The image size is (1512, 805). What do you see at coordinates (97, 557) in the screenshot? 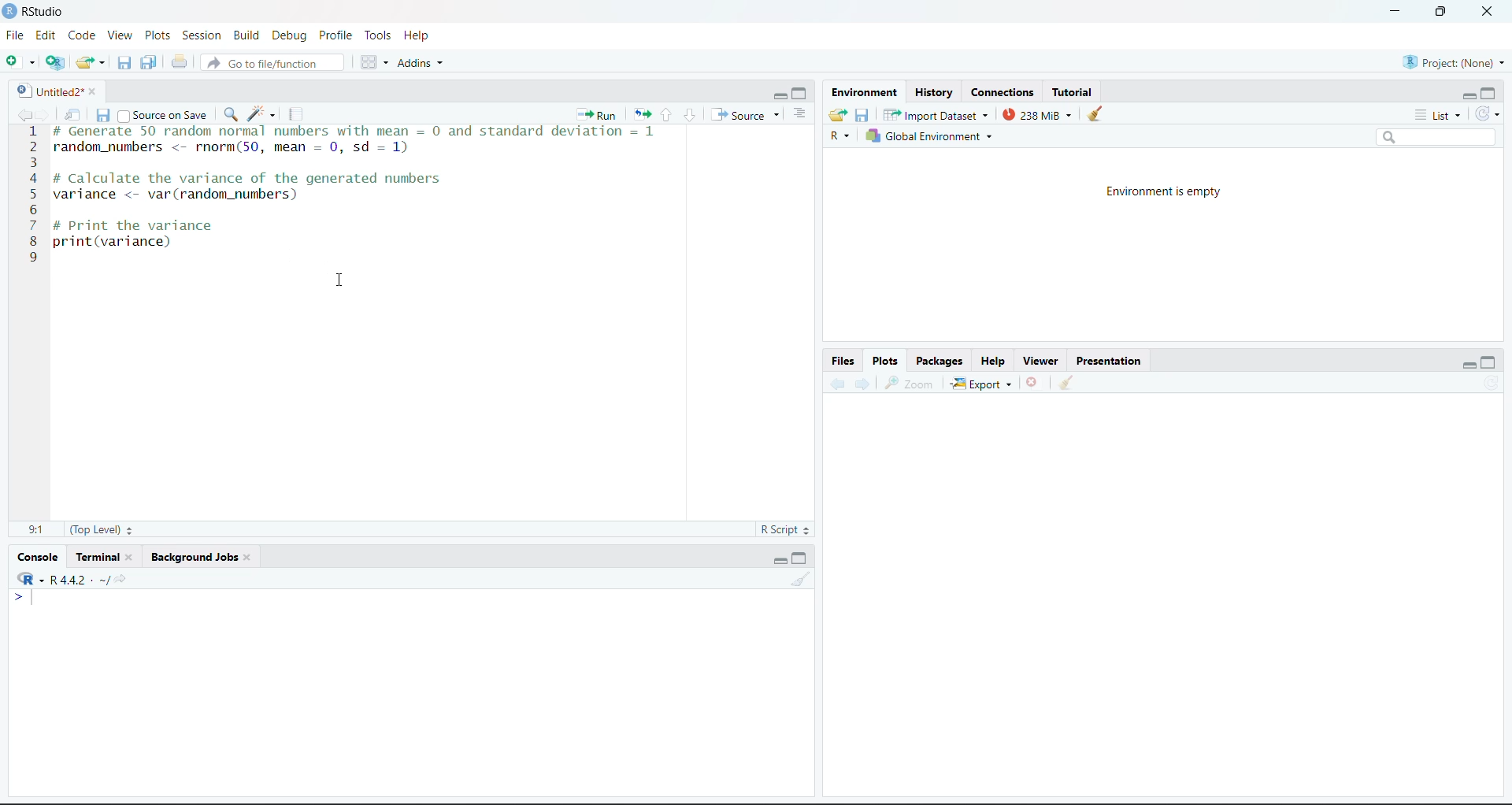
I see `Terminal` at bounding box center [97, 557].